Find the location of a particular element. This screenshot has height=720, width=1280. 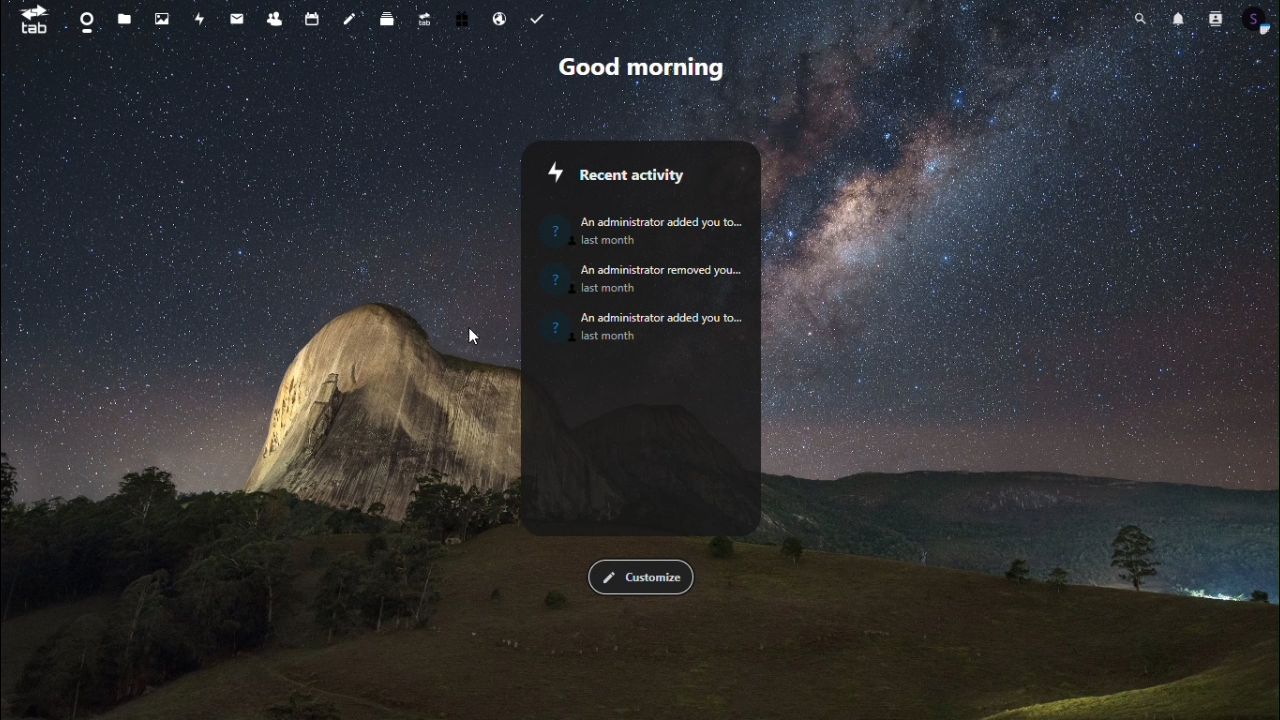

last month is located at coordinates (608, 289).